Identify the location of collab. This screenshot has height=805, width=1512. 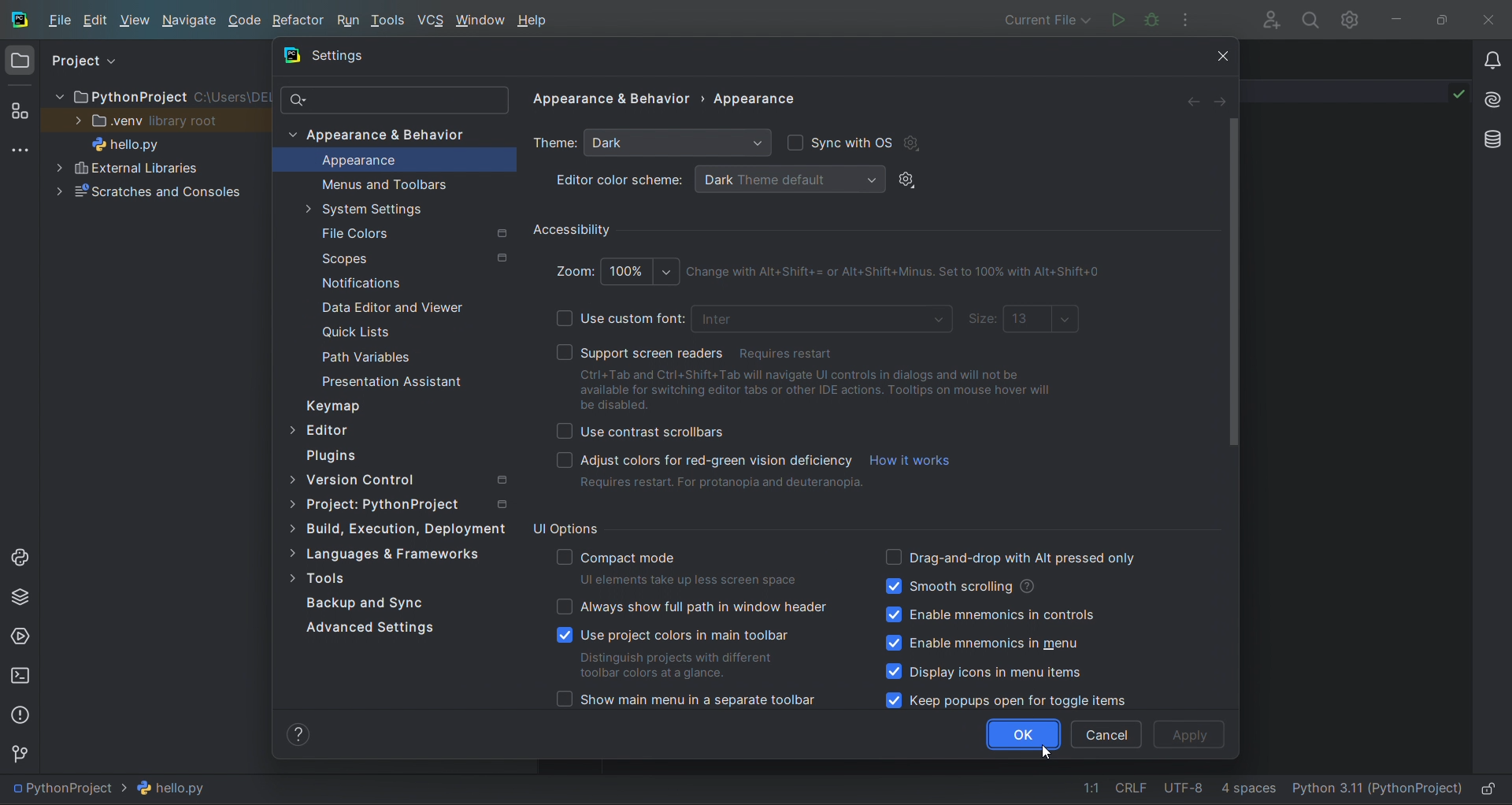
(1271, 20).